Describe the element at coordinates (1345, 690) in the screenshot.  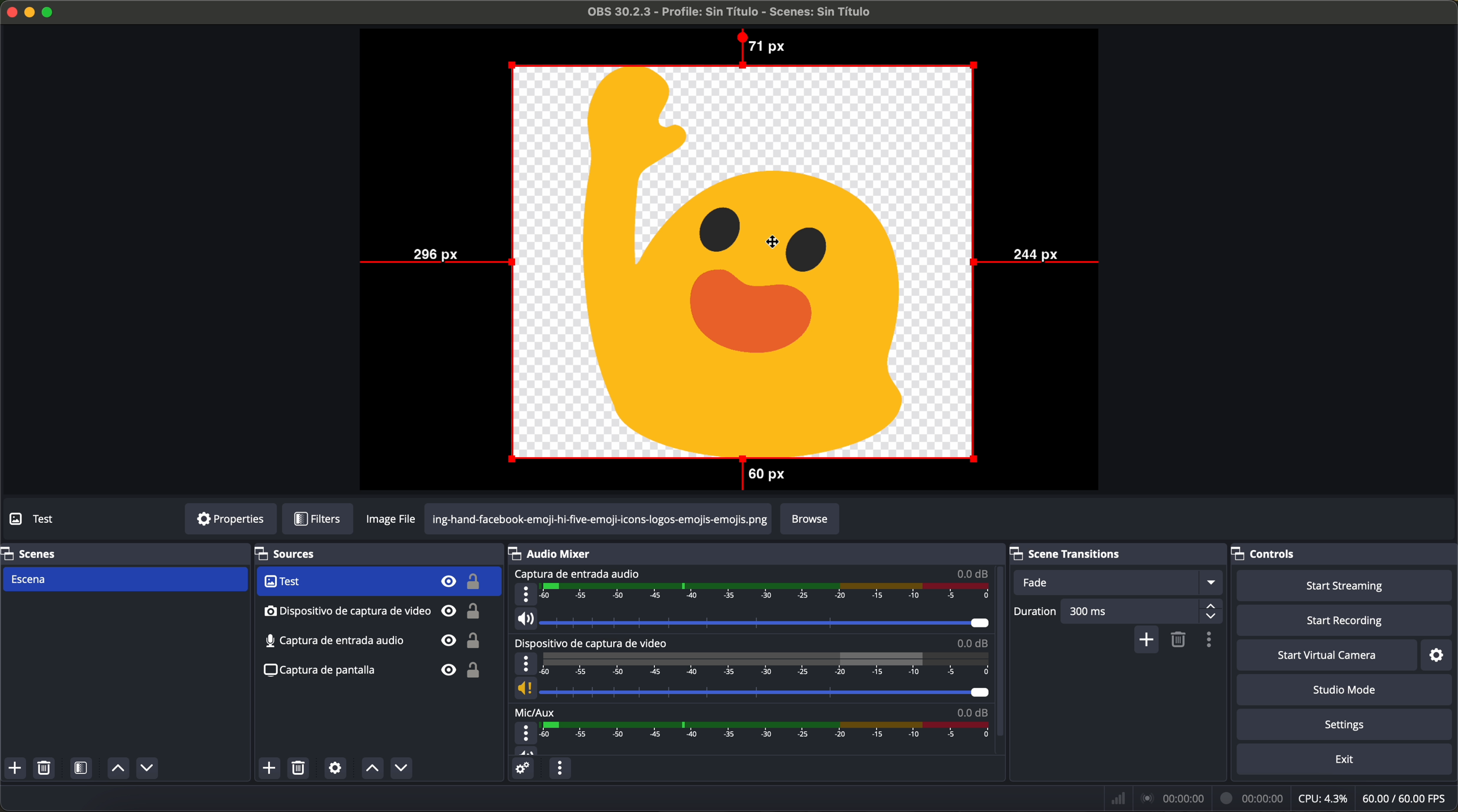
I see `studio mode` at that location.